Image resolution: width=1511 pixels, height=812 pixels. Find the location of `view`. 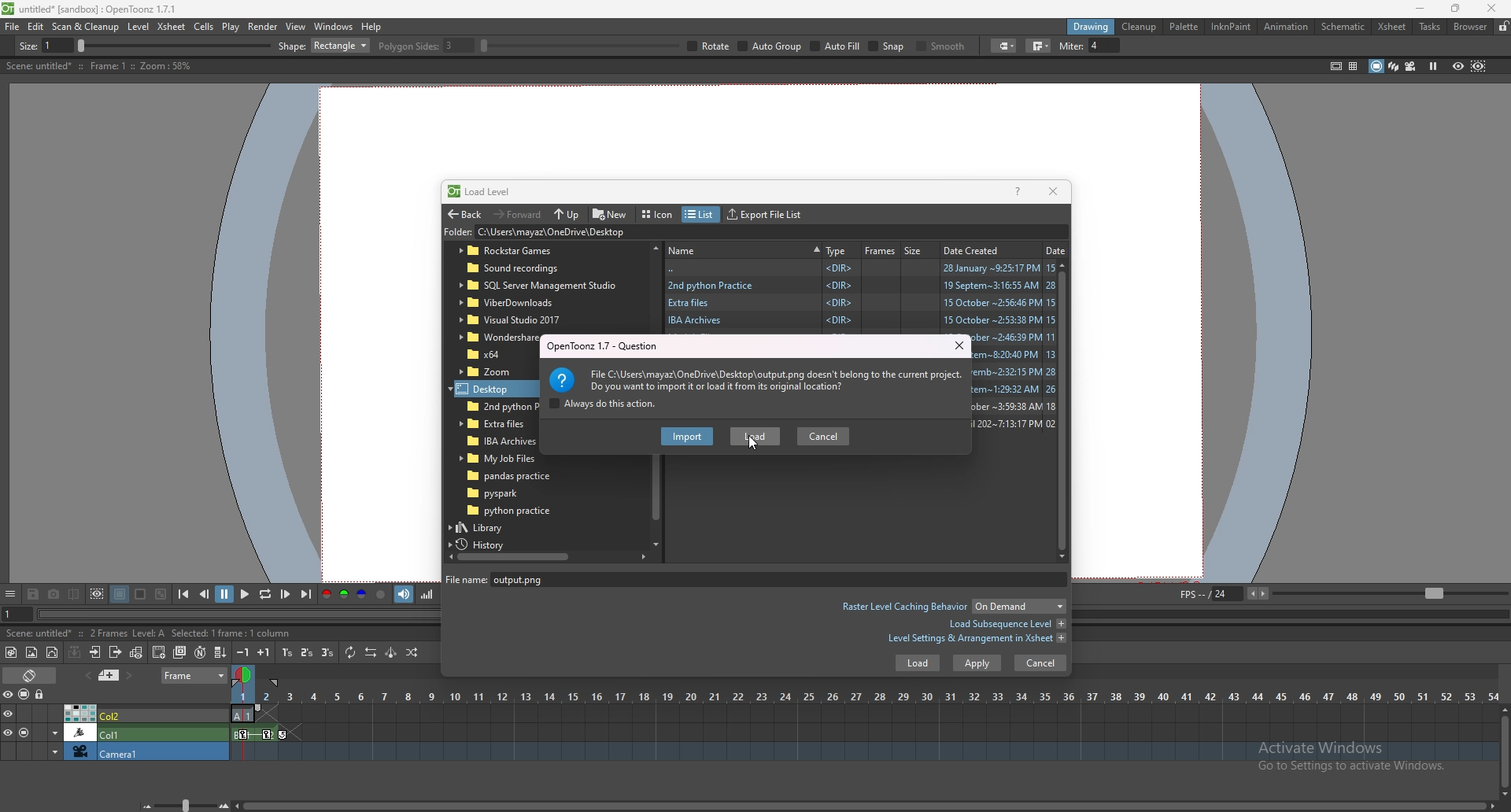

view is located at coordinates (296, 26).